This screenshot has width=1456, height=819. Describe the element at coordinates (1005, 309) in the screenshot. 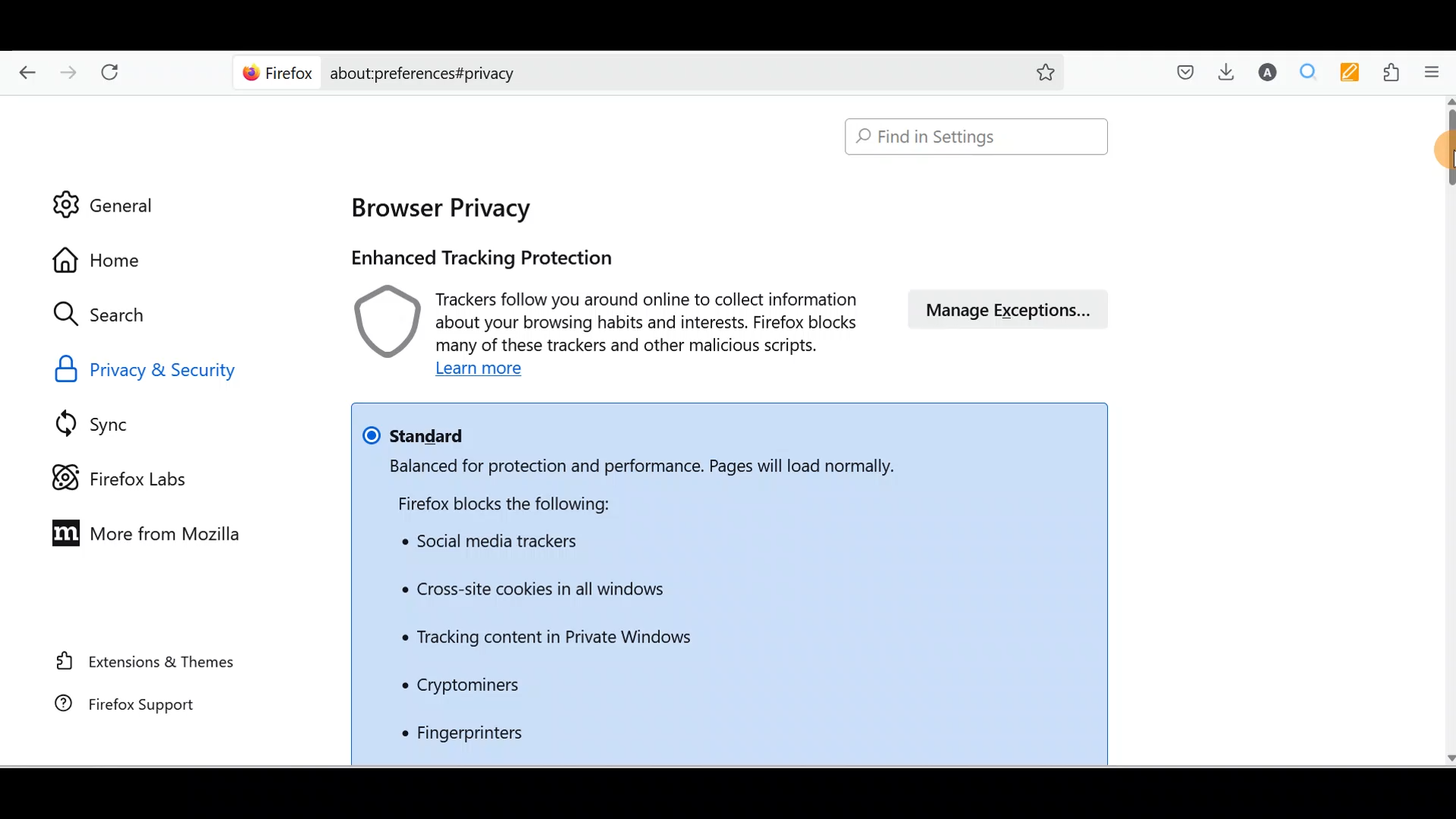

I see `Manage exceptions` at that location.